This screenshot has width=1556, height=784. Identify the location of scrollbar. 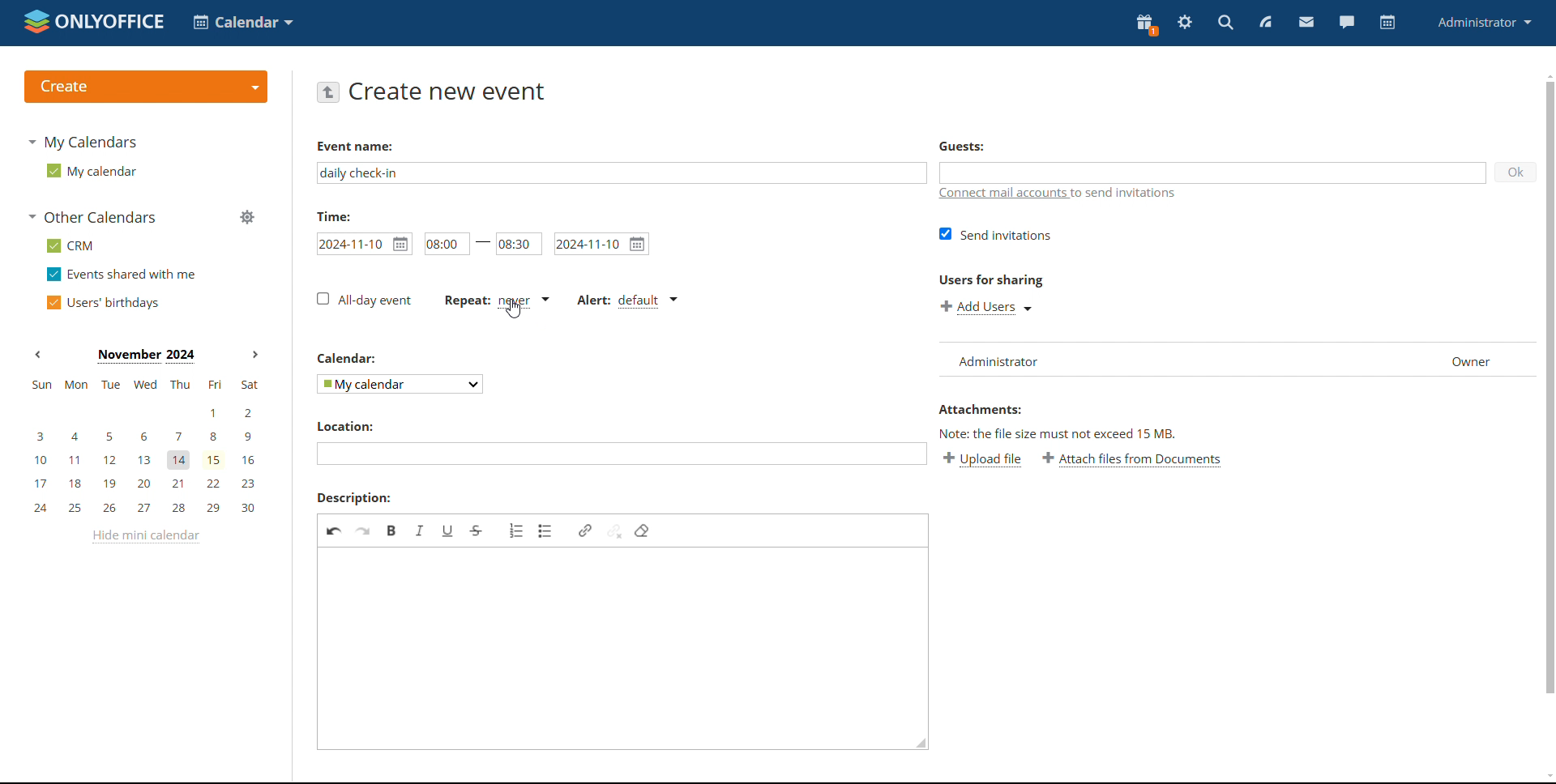
(1549, 387).